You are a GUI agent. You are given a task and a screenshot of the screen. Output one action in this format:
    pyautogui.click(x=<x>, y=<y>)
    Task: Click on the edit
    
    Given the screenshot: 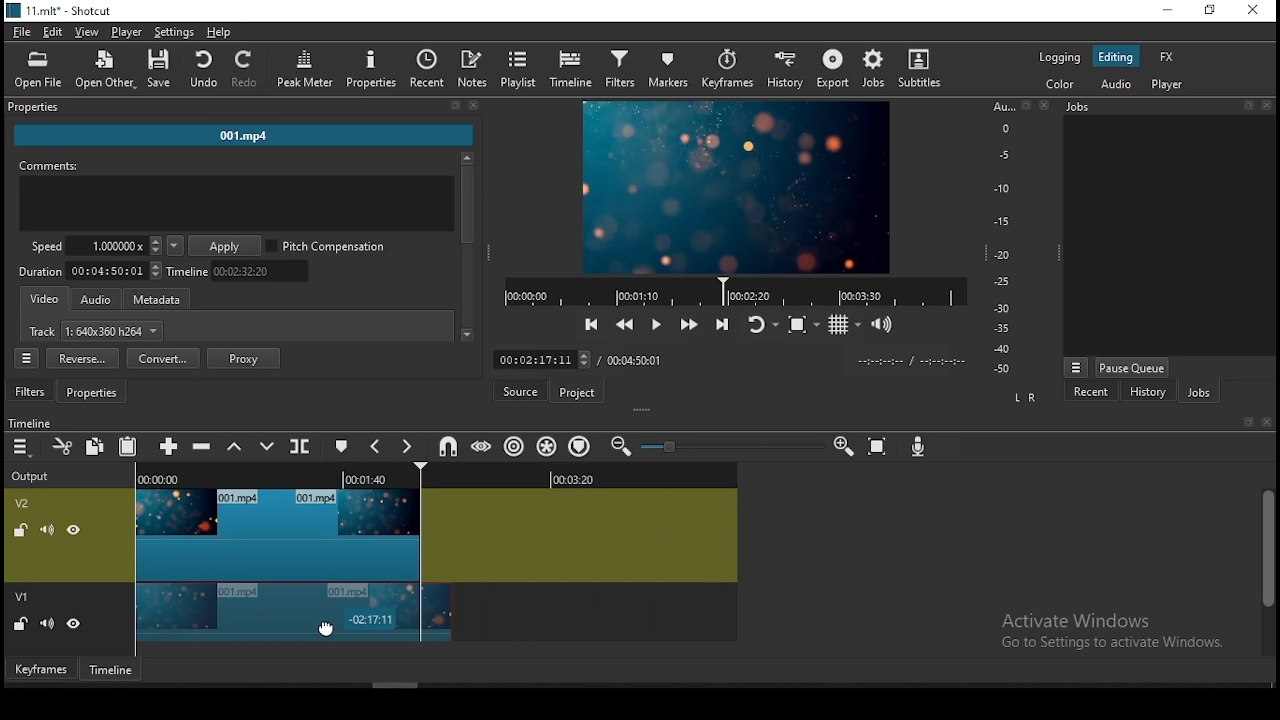 What is the action you would take?
    pyautogui.click(x=53, y=33)
    